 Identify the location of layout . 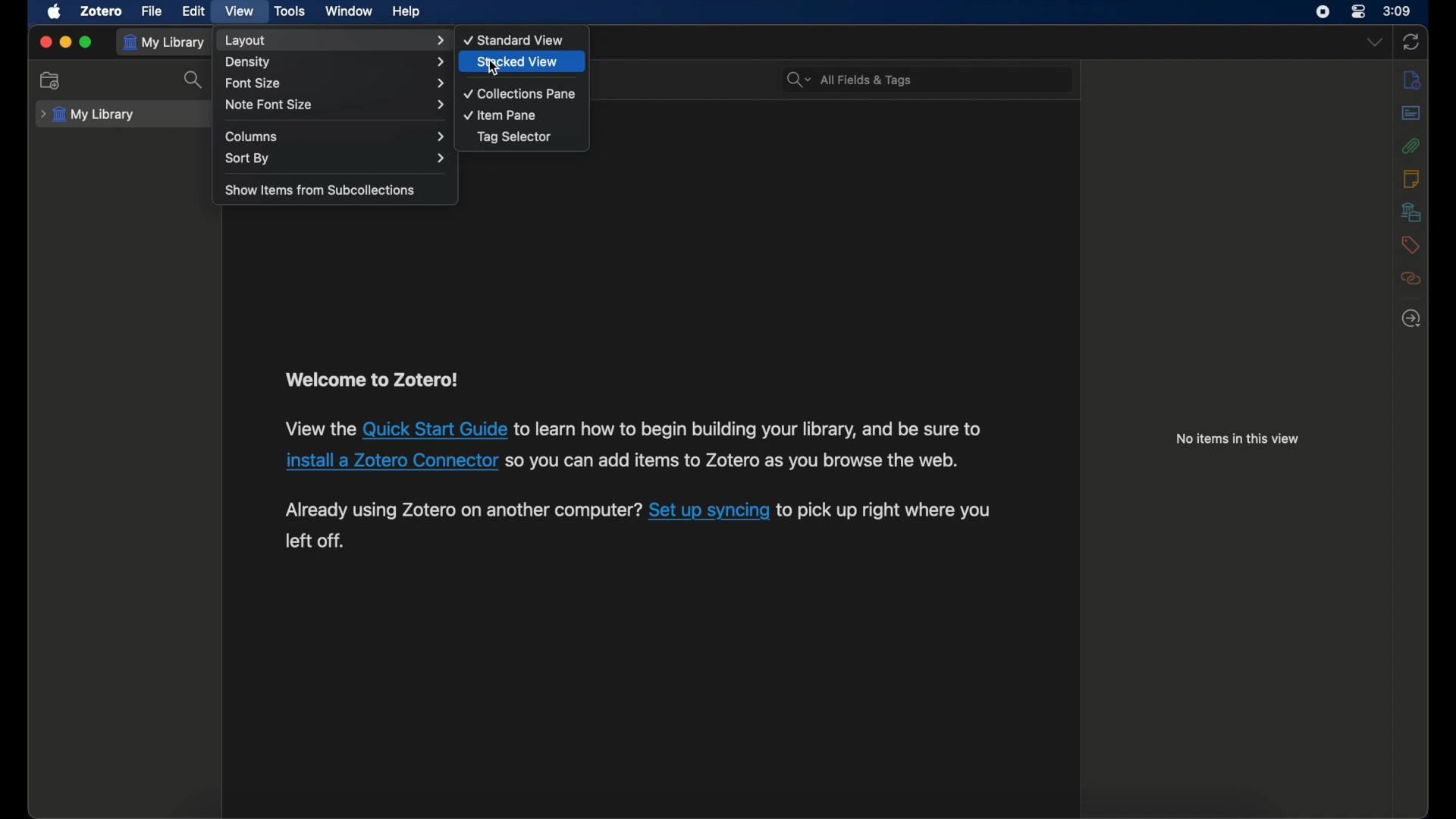
(334, 40).